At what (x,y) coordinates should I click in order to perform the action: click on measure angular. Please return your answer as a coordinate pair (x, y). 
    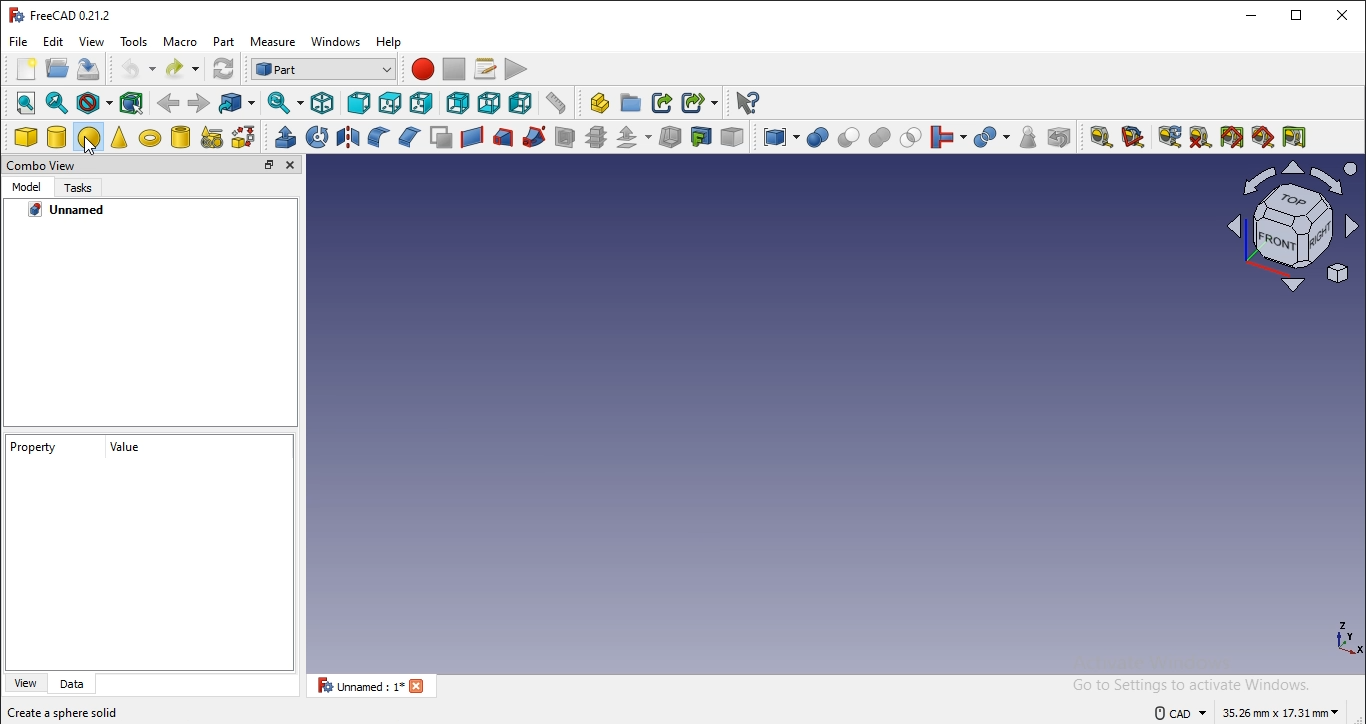
    Looking at the image, I should click on (1133, 137).